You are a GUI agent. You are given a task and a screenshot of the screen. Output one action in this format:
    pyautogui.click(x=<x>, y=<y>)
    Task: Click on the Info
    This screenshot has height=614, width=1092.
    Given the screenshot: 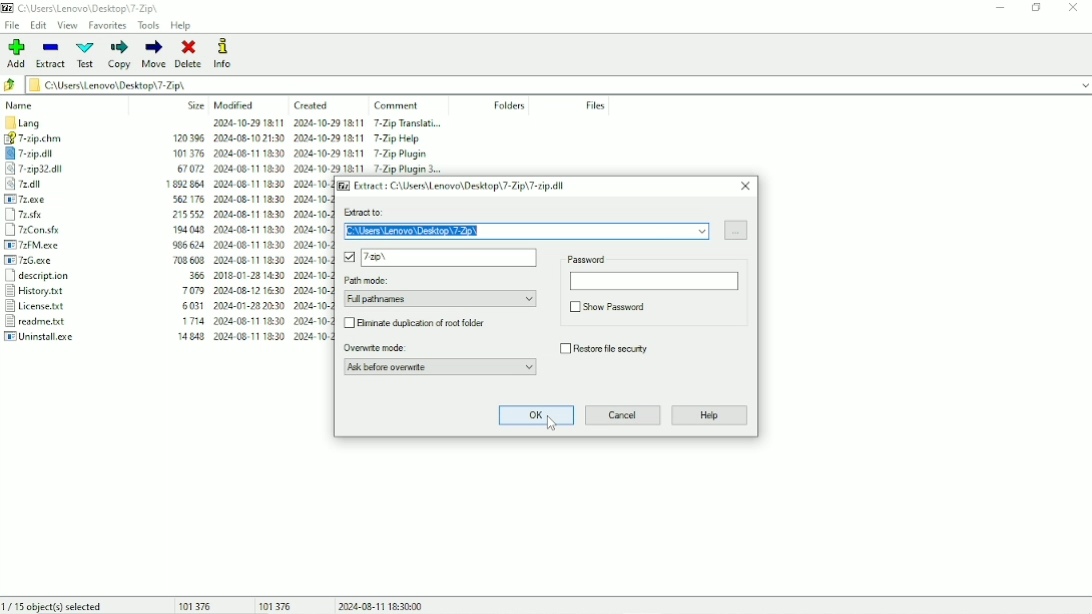 What is the action you would take?
    pyautogui.click(x=225, y=54)
    